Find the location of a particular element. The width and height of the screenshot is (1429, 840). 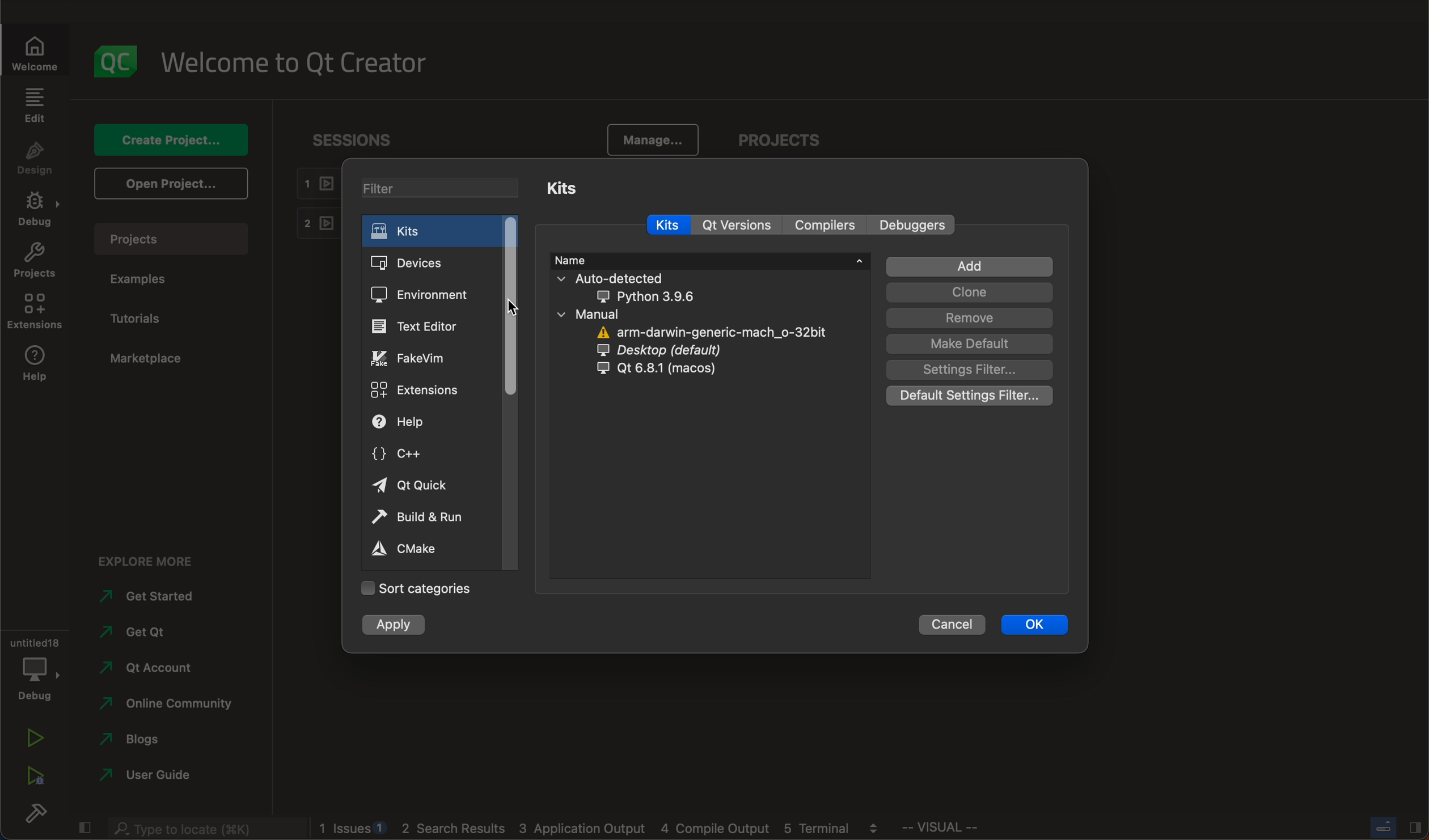

build and run is located at coordinates (422, 518).